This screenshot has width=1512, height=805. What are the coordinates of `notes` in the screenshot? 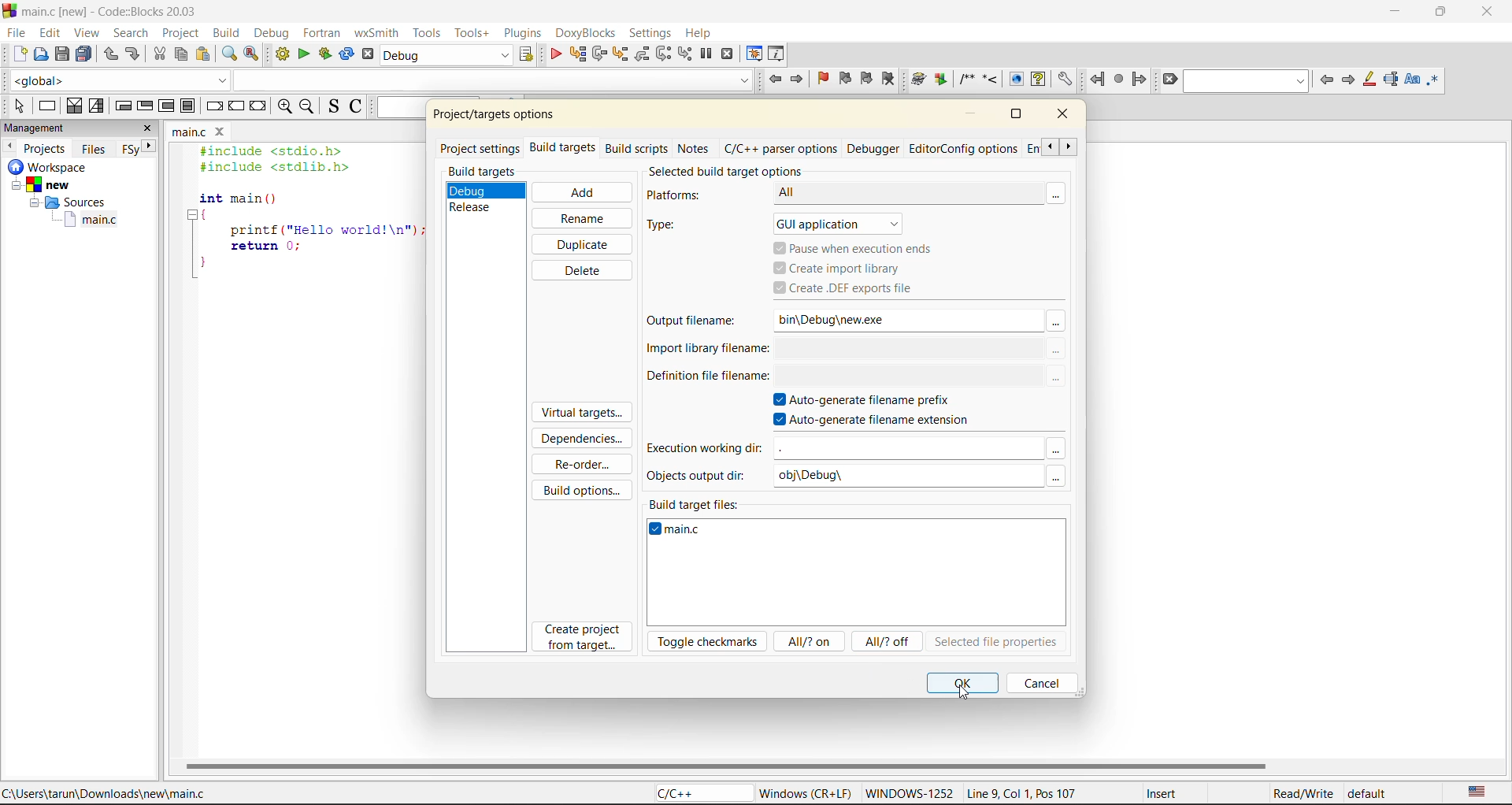 It's located at (695, 147).